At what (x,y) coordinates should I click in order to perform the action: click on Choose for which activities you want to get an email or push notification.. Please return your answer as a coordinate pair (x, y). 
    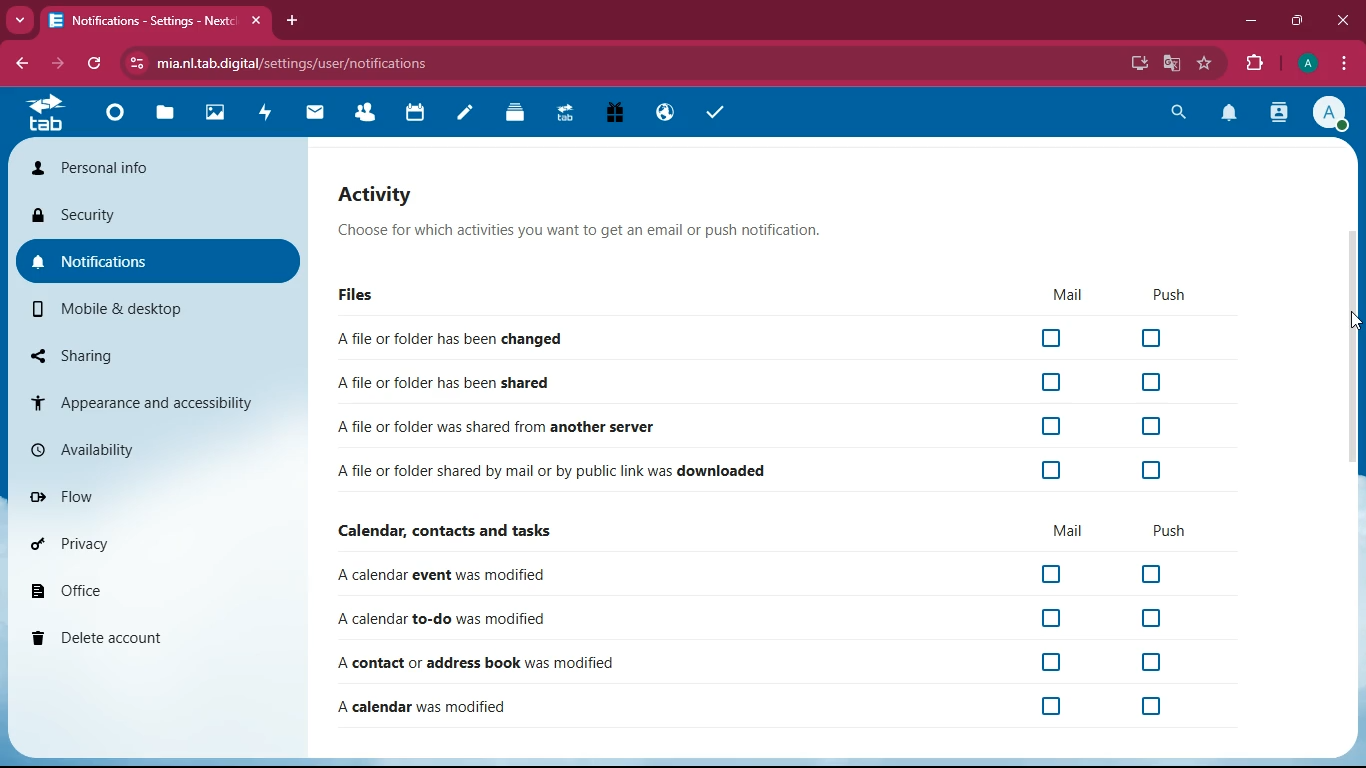
    Looking at the image, I should click on (616, 231).